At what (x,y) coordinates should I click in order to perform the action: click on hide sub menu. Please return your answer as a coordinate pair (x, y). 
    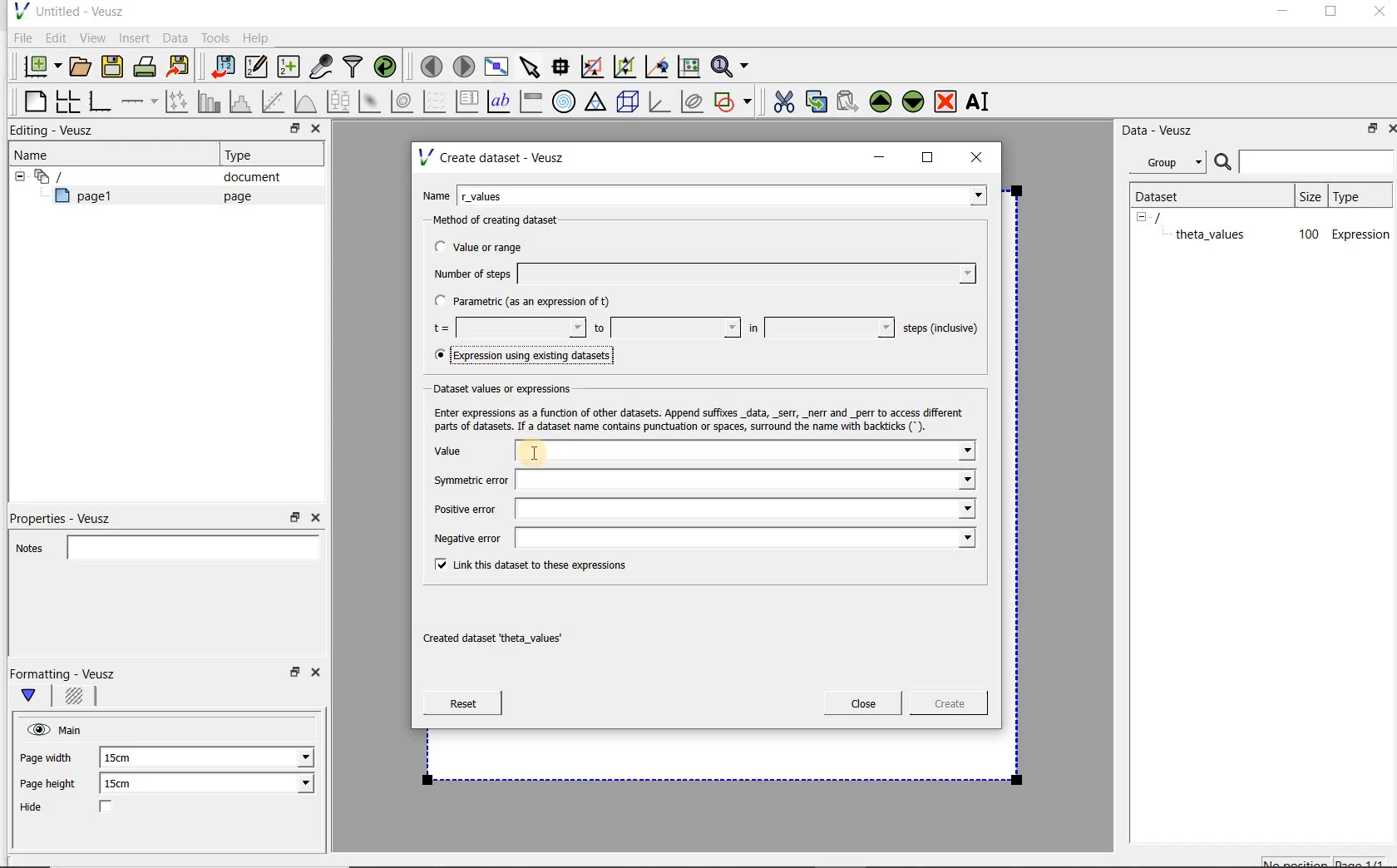
    Looking at the image, I should click on (16, 175).